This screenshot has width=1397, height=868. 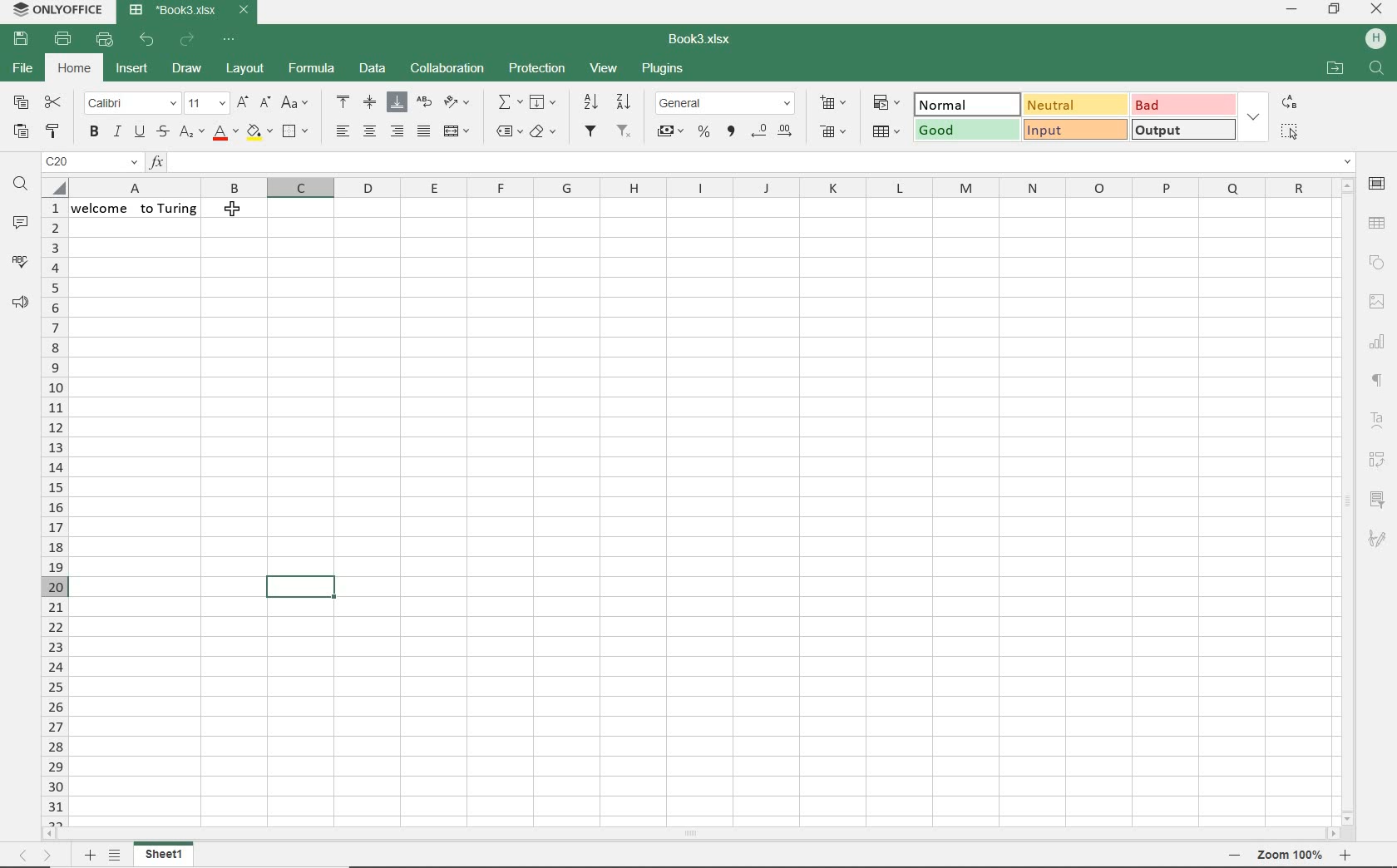 I want to click on font size, so click(x=205, y=103).